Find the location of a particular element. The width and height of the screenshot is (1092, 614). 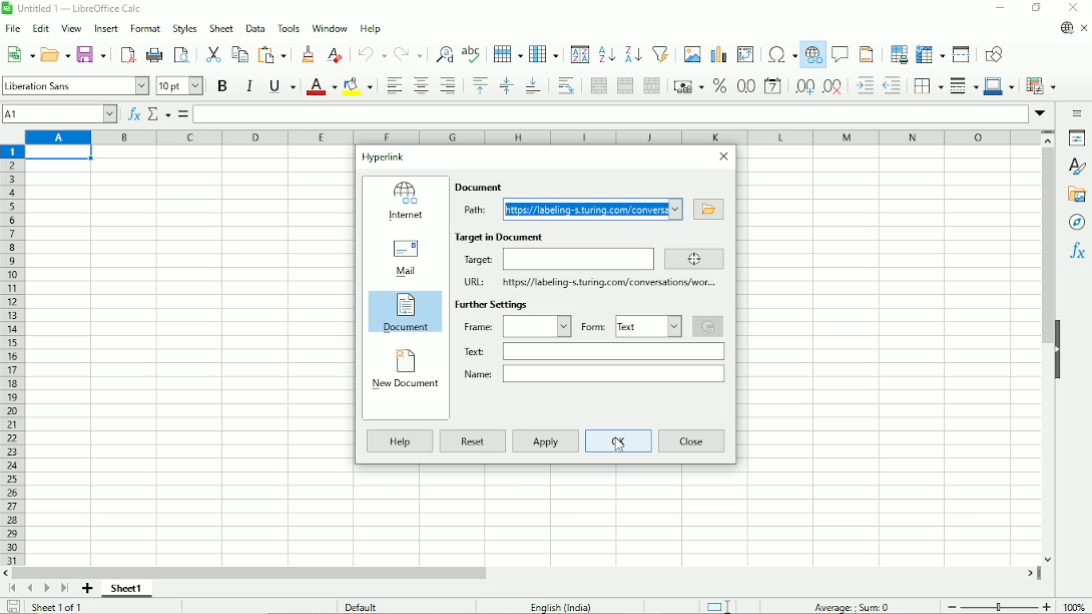

Insert special characters is located at coordinates (781, 56).